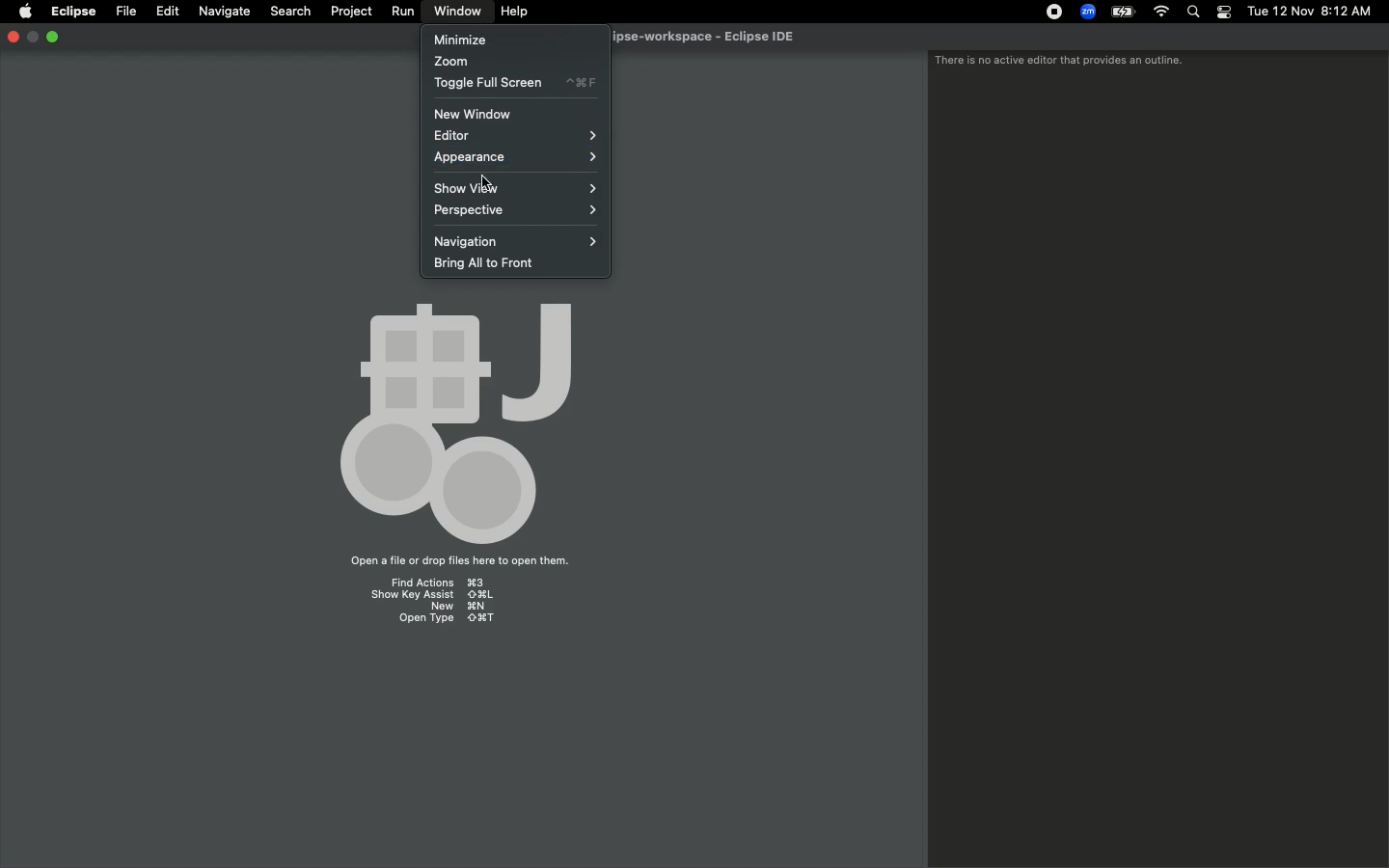 This screenshot has height=868, width=1389. Describe the element at coordinates (512, 214) in the screenshot. I see `Perspective` at that location.